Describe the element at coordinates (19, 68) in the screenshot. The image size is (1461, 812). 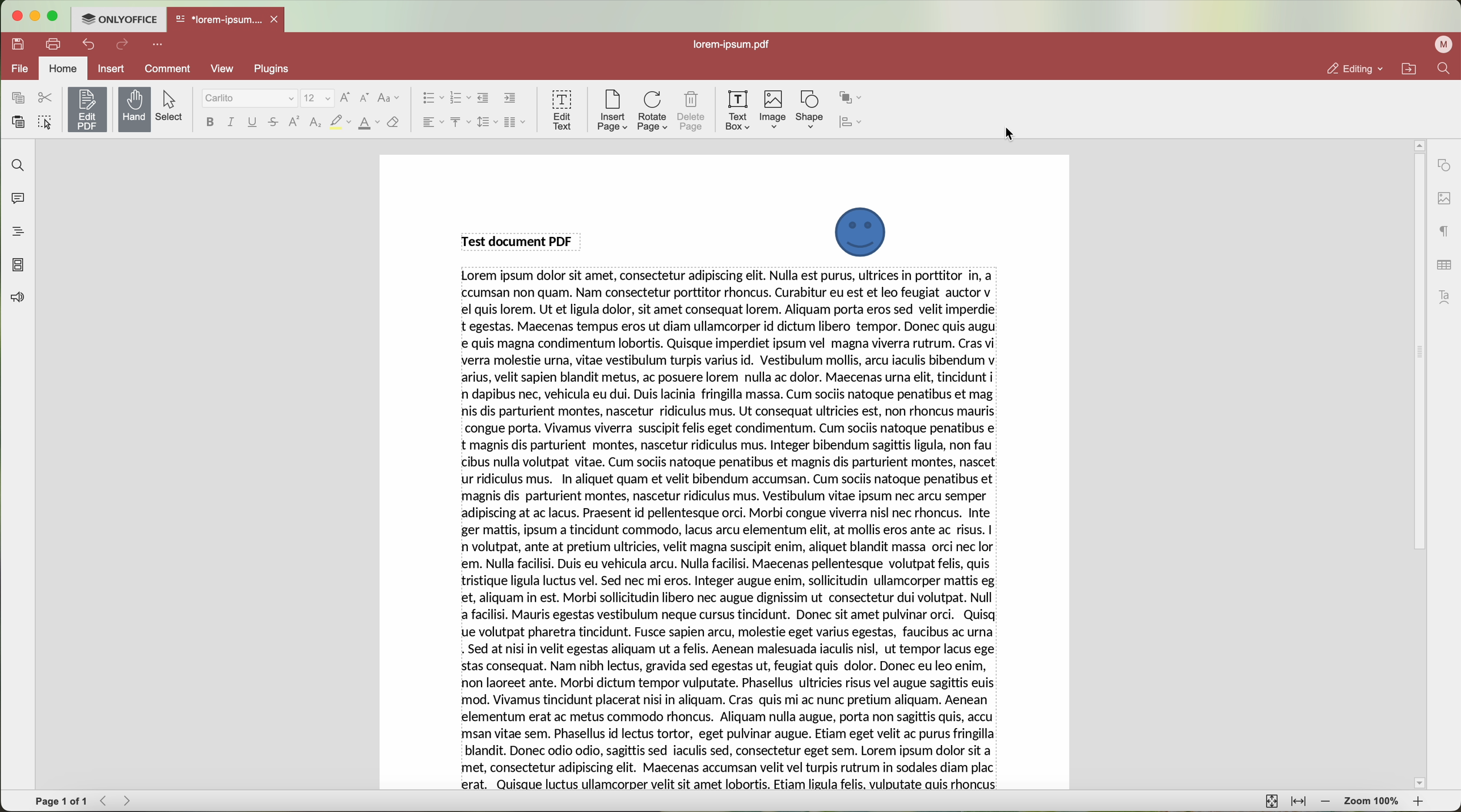
I see `file` at that location.